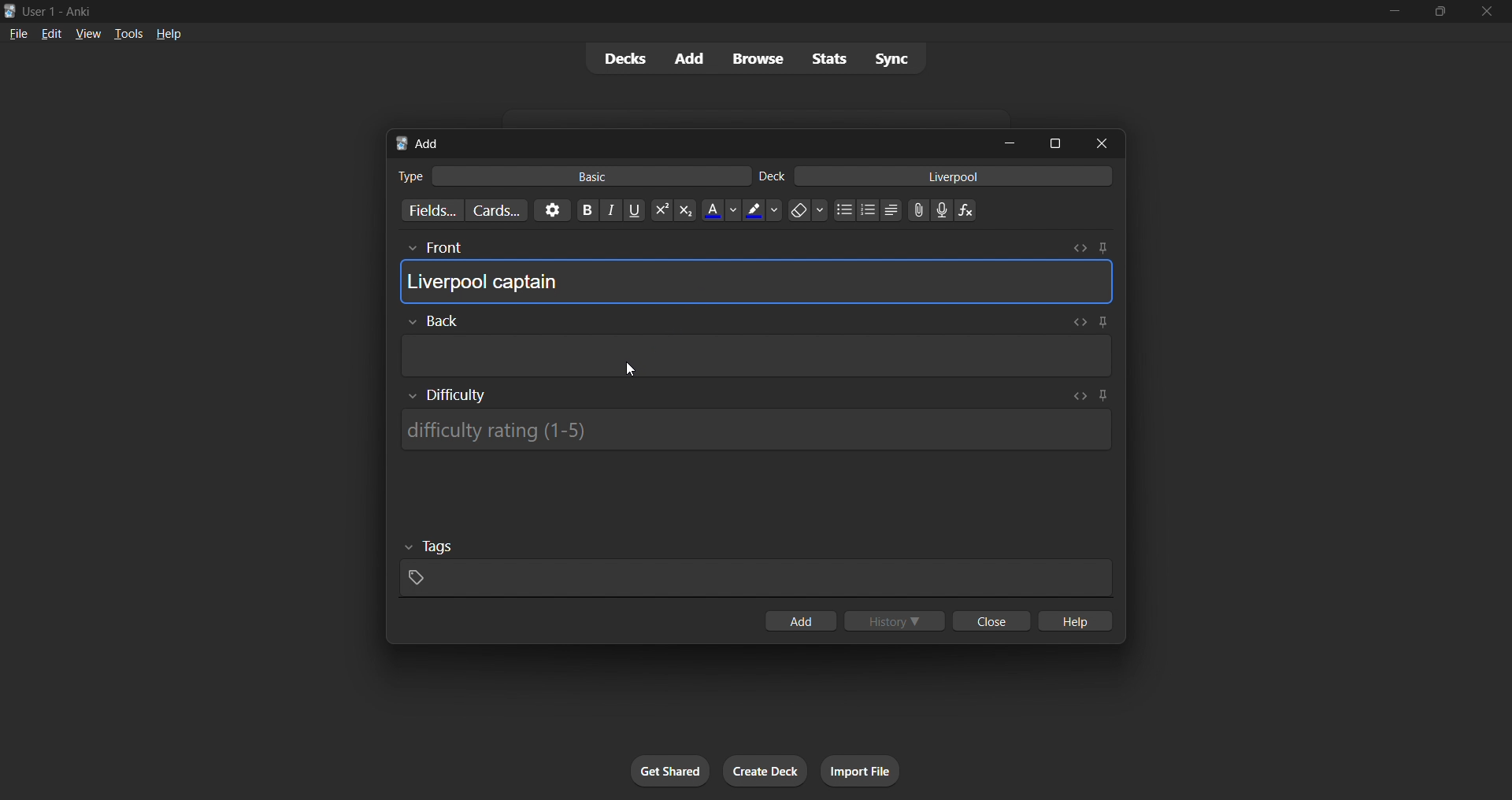  I want to click on Cursor, so click(632, 369).